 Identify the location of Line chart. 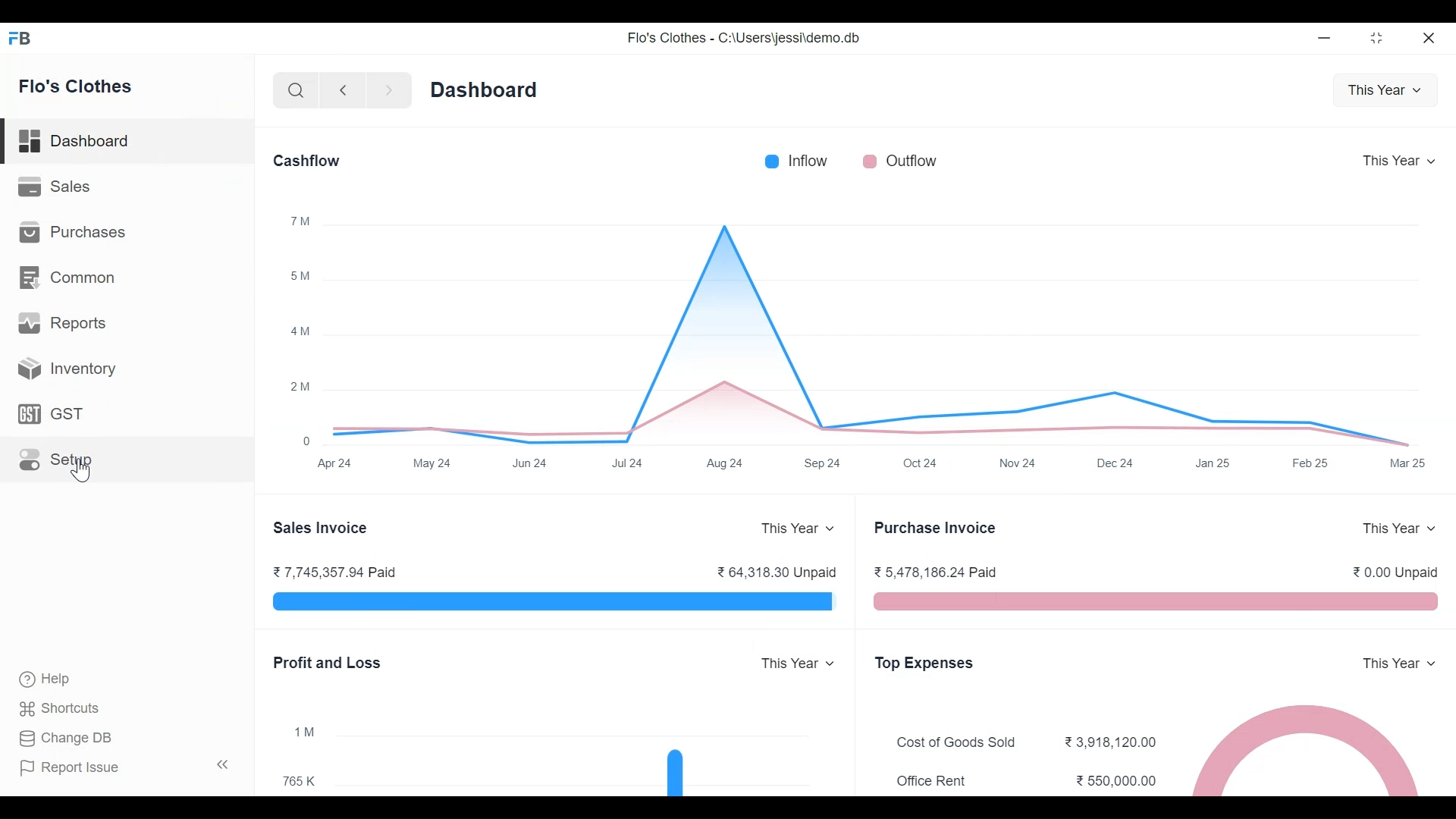
(865, 331).